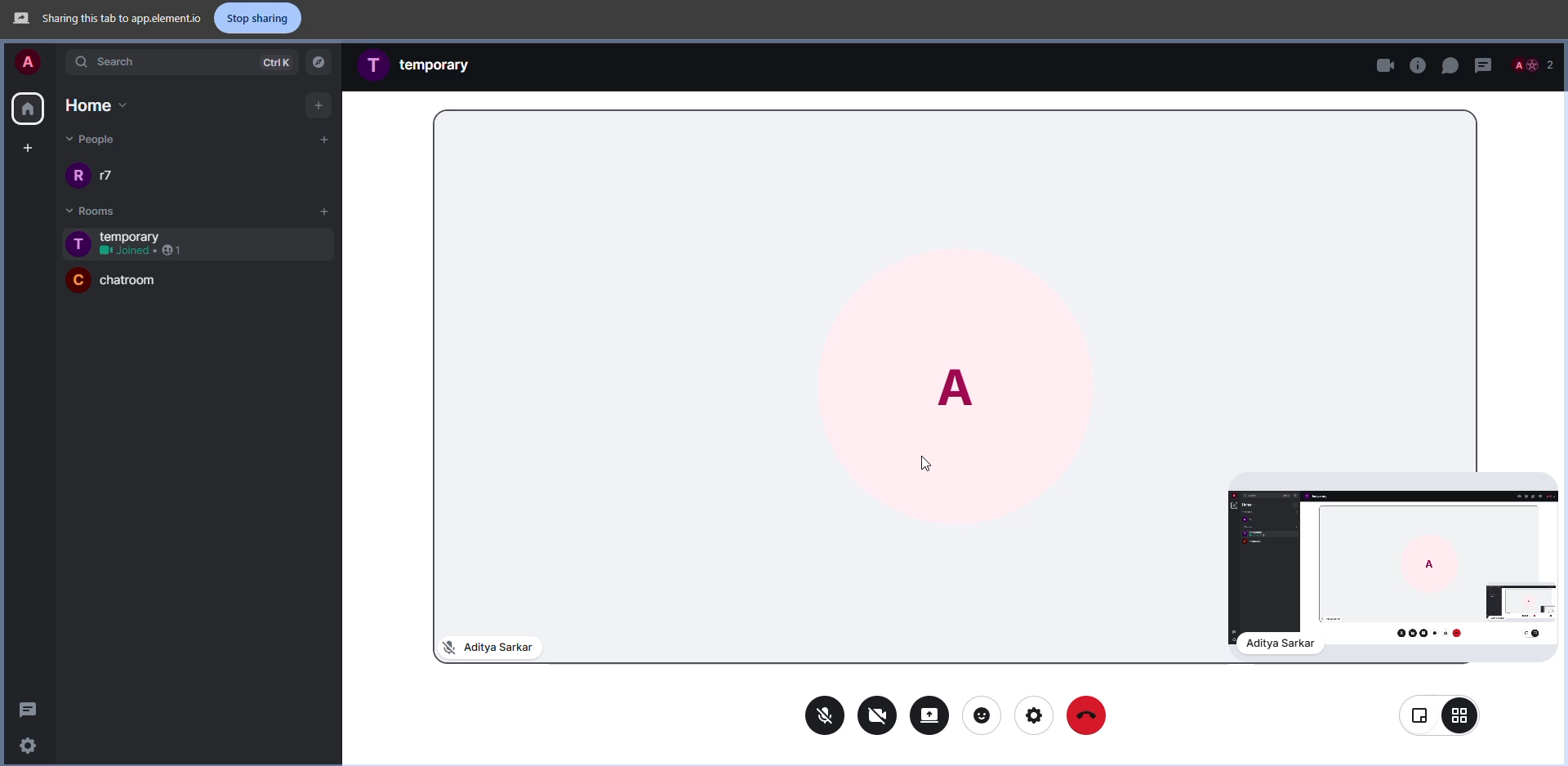  Describe the element at coordinates (91, 207) in the screenshot. I see `rooms` at that location.